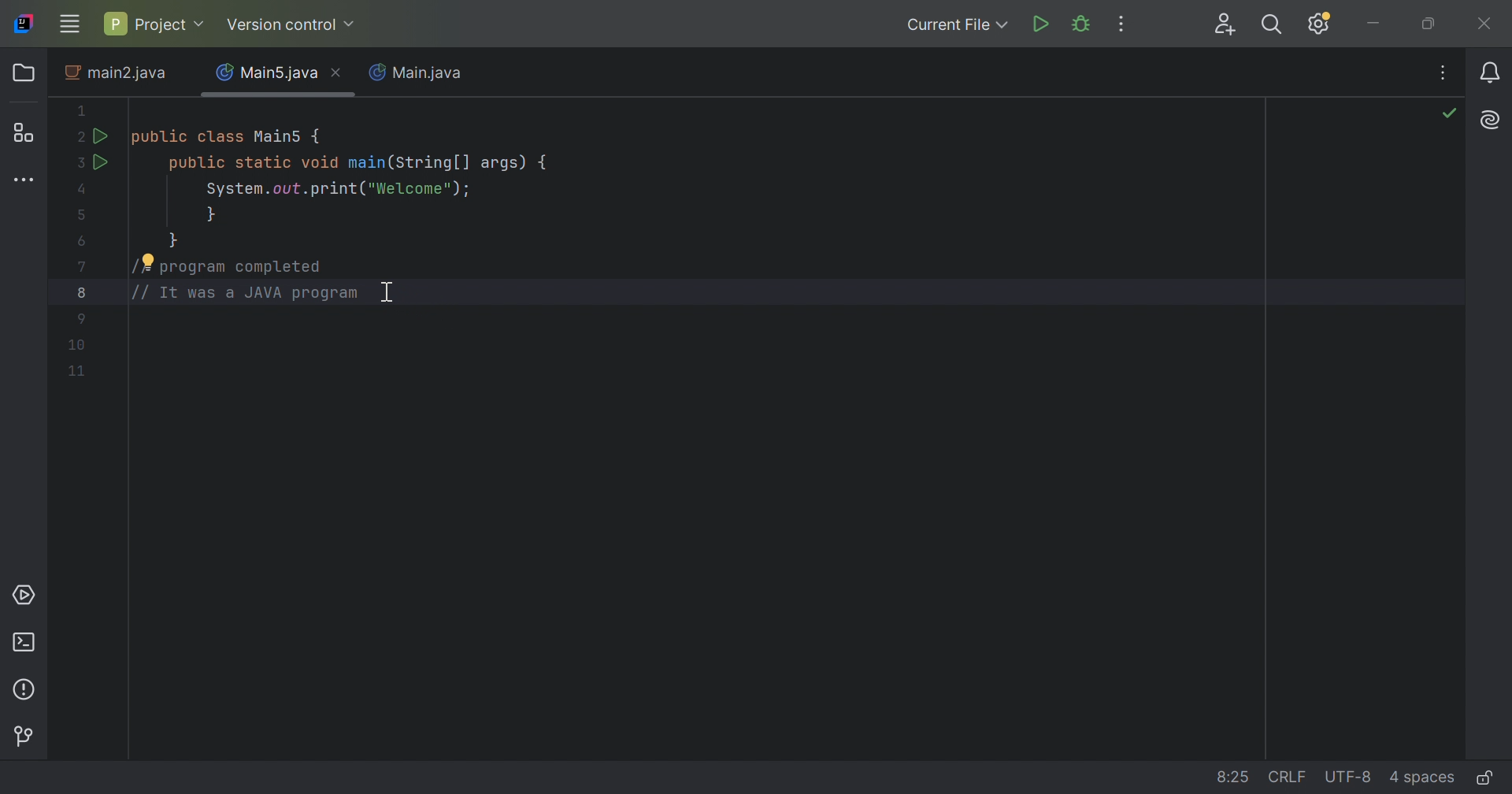  I want to click on Minimize, so click(1373, 28).